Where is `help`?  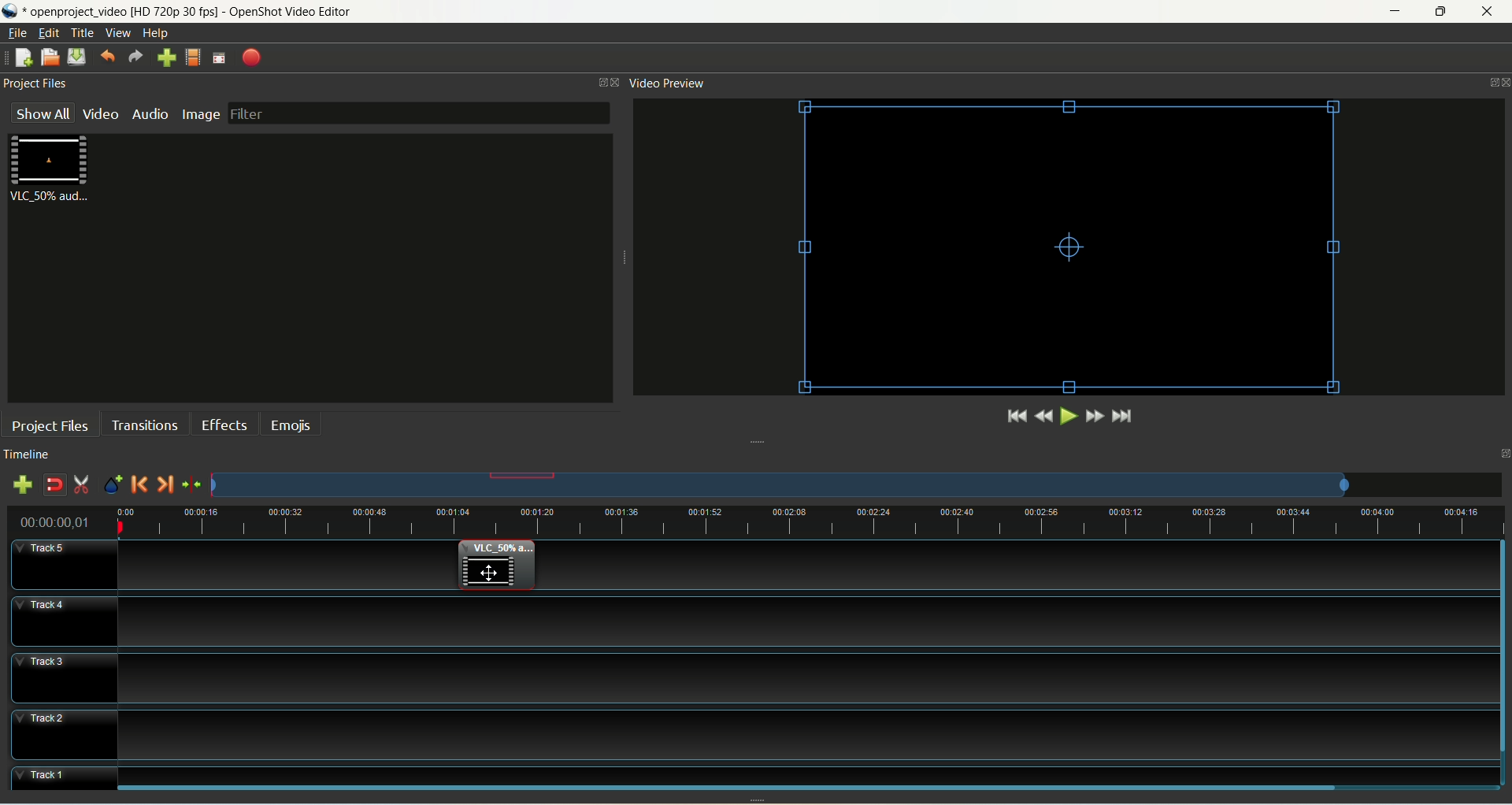 help is located at coordinates (157, 33).